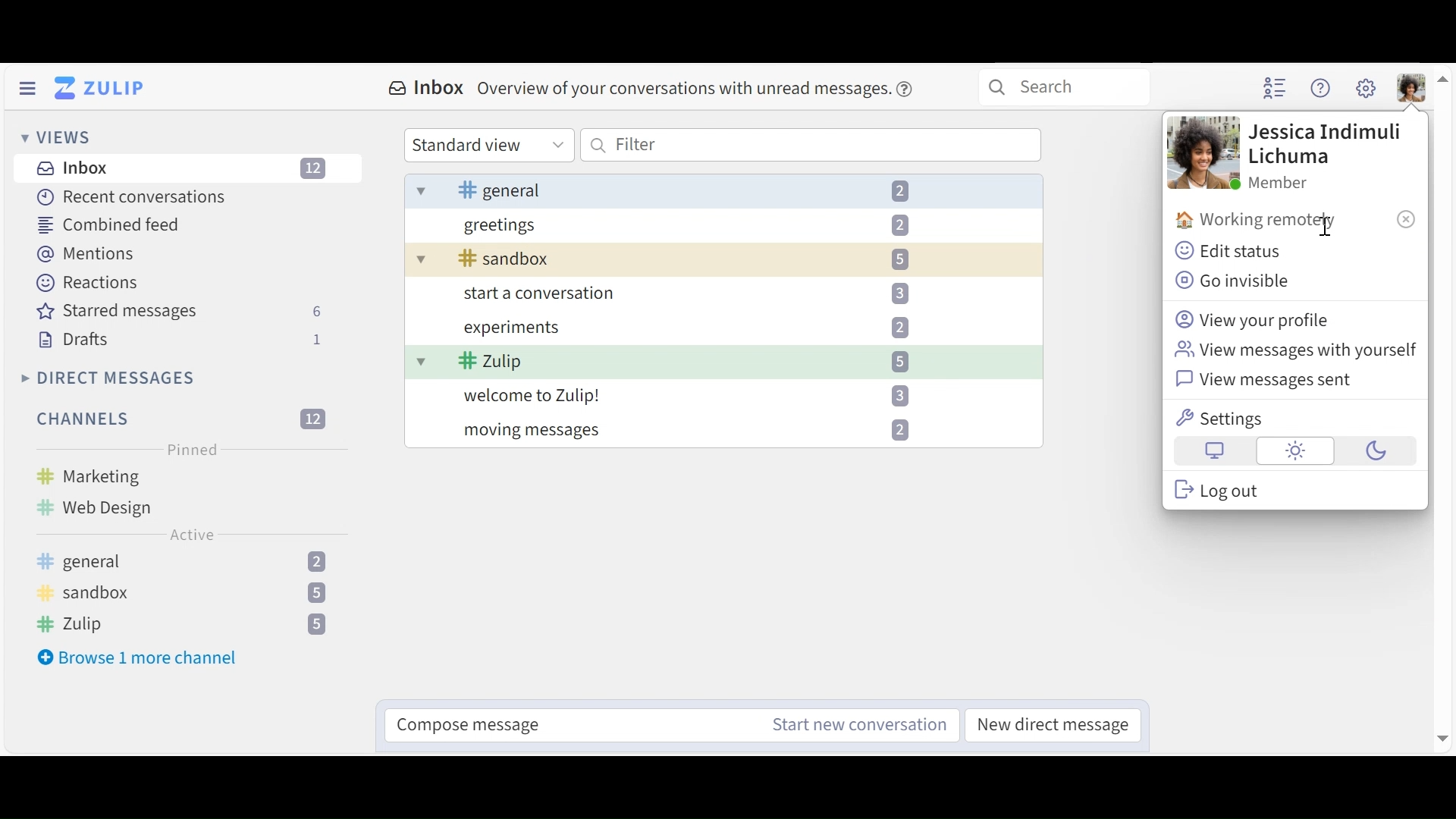 Image resolution: width=1456 pixels, height=819 pixels. Describe the element at coordinates (85, 253) in the screenshot. I see `Mentions` at that location.